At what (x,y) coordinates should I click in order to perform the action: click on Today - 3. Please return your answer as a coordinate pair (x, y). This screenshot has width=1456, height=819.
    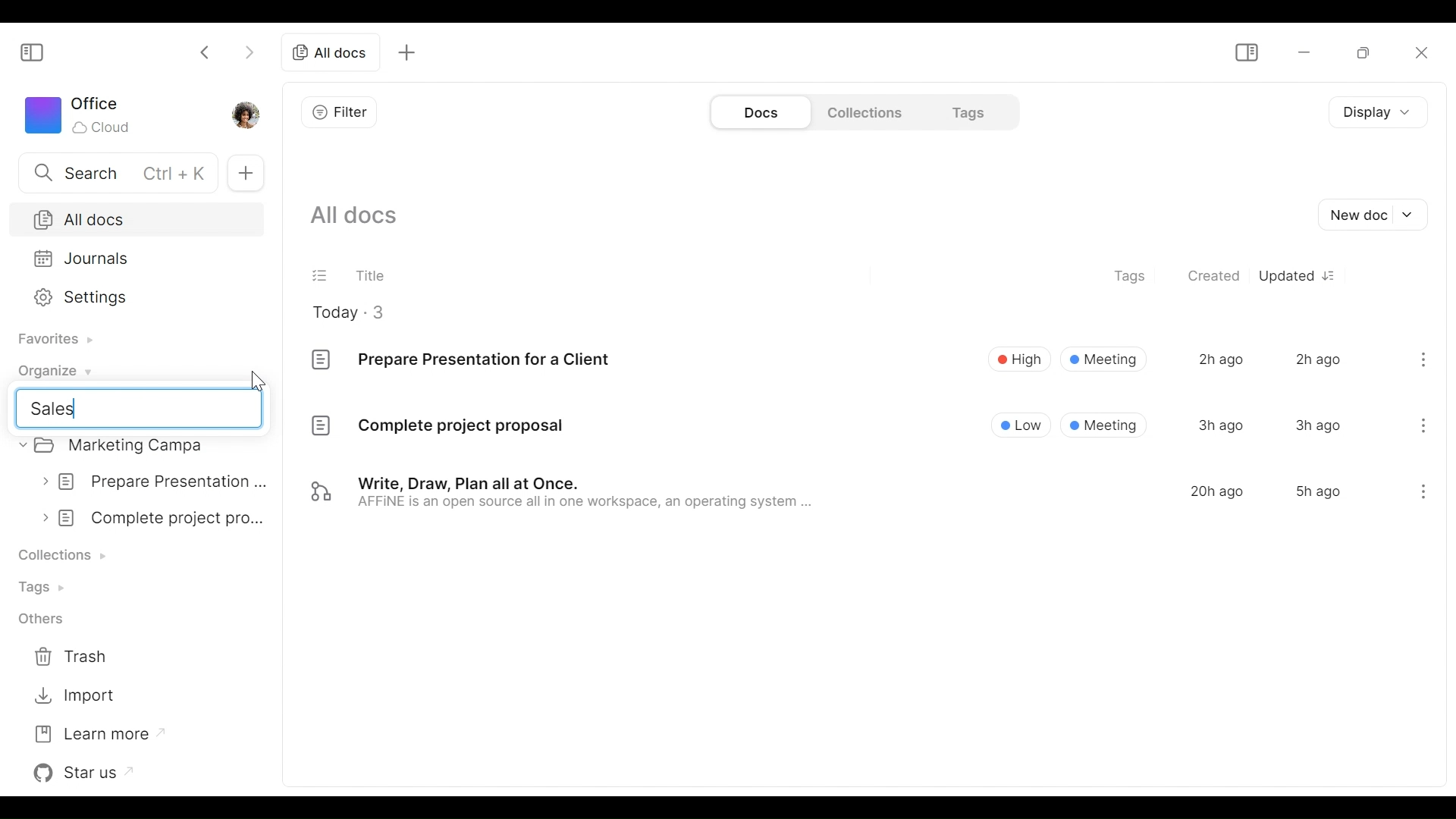
    Looking at the image, I should click on (360, 312).